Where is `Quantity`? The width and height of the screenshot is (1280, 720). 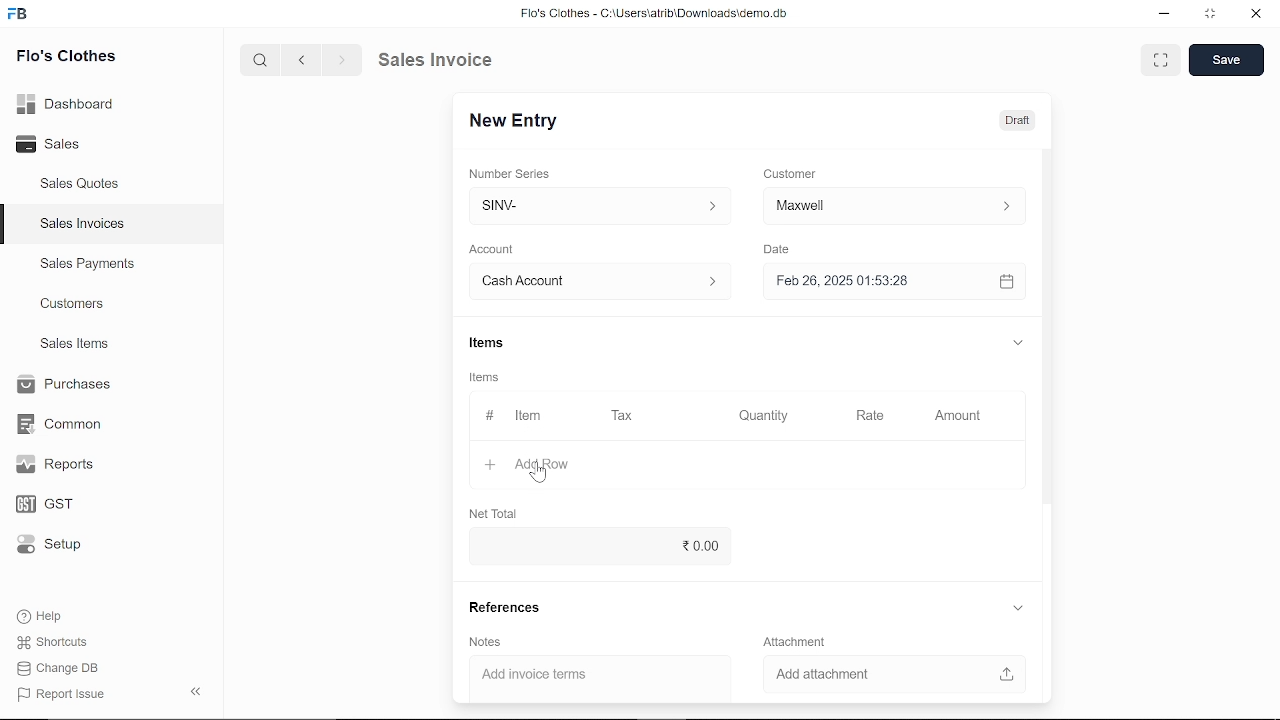
Quantity is located at coordinates (759, 417).